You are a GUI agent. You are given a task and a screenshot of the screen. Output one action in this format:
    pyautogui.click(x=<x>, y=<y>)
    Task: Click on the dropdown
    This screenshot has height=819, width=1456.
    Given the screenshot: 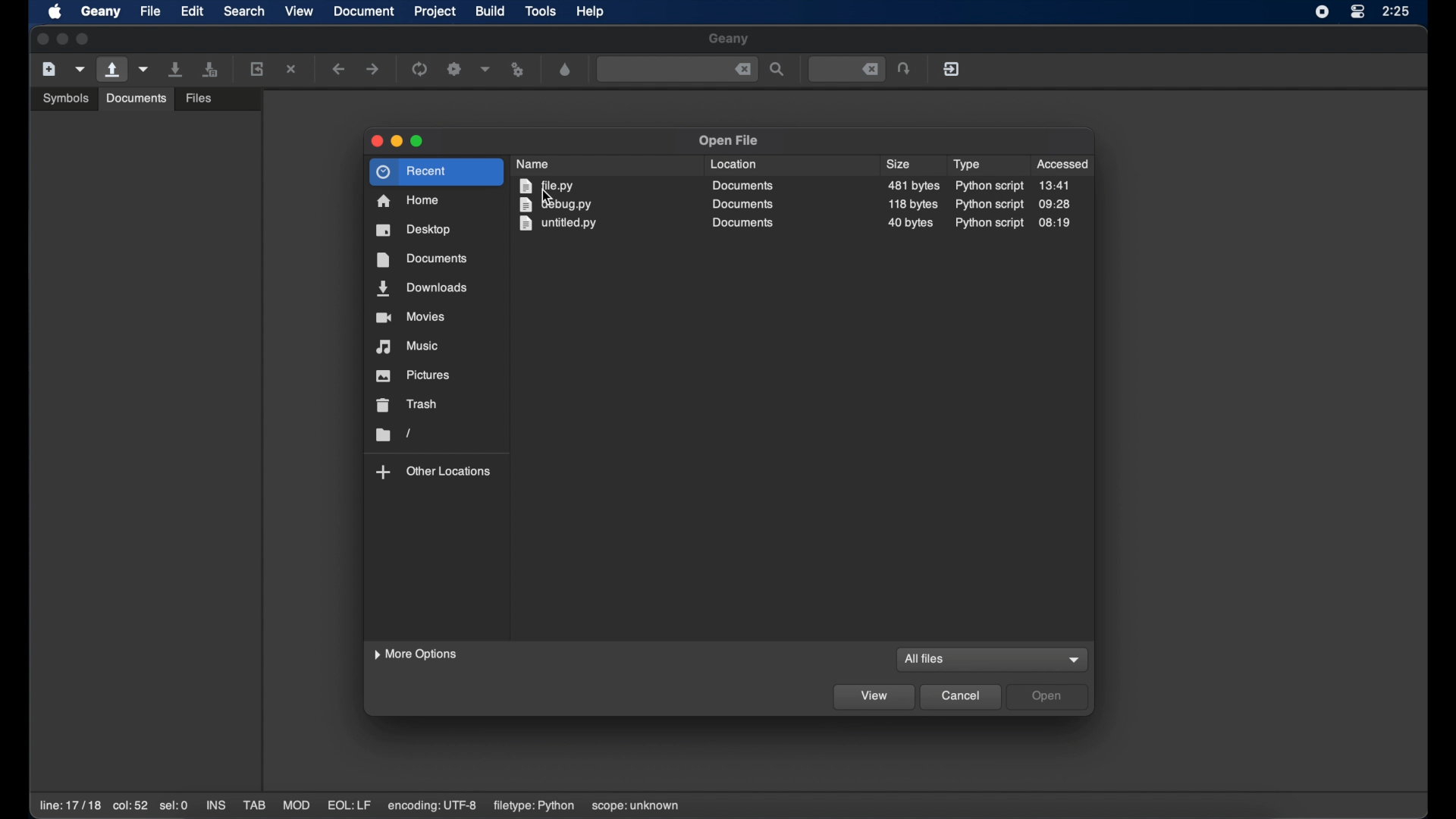 What is the action you would take?
    pyautogui.click(x=1075, y=661)
    